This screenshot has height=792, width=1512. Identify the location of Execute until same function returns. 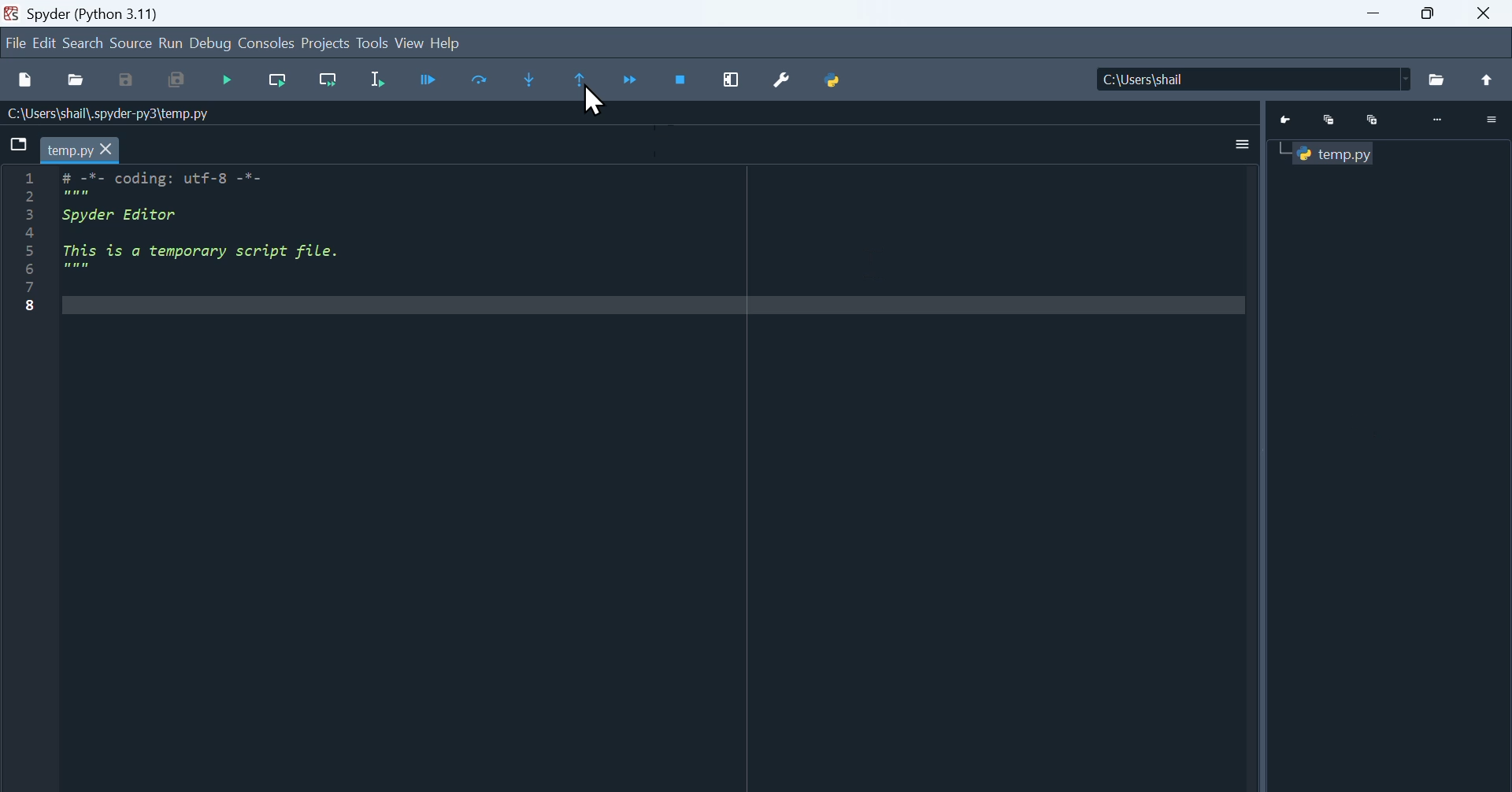
(577, 79).